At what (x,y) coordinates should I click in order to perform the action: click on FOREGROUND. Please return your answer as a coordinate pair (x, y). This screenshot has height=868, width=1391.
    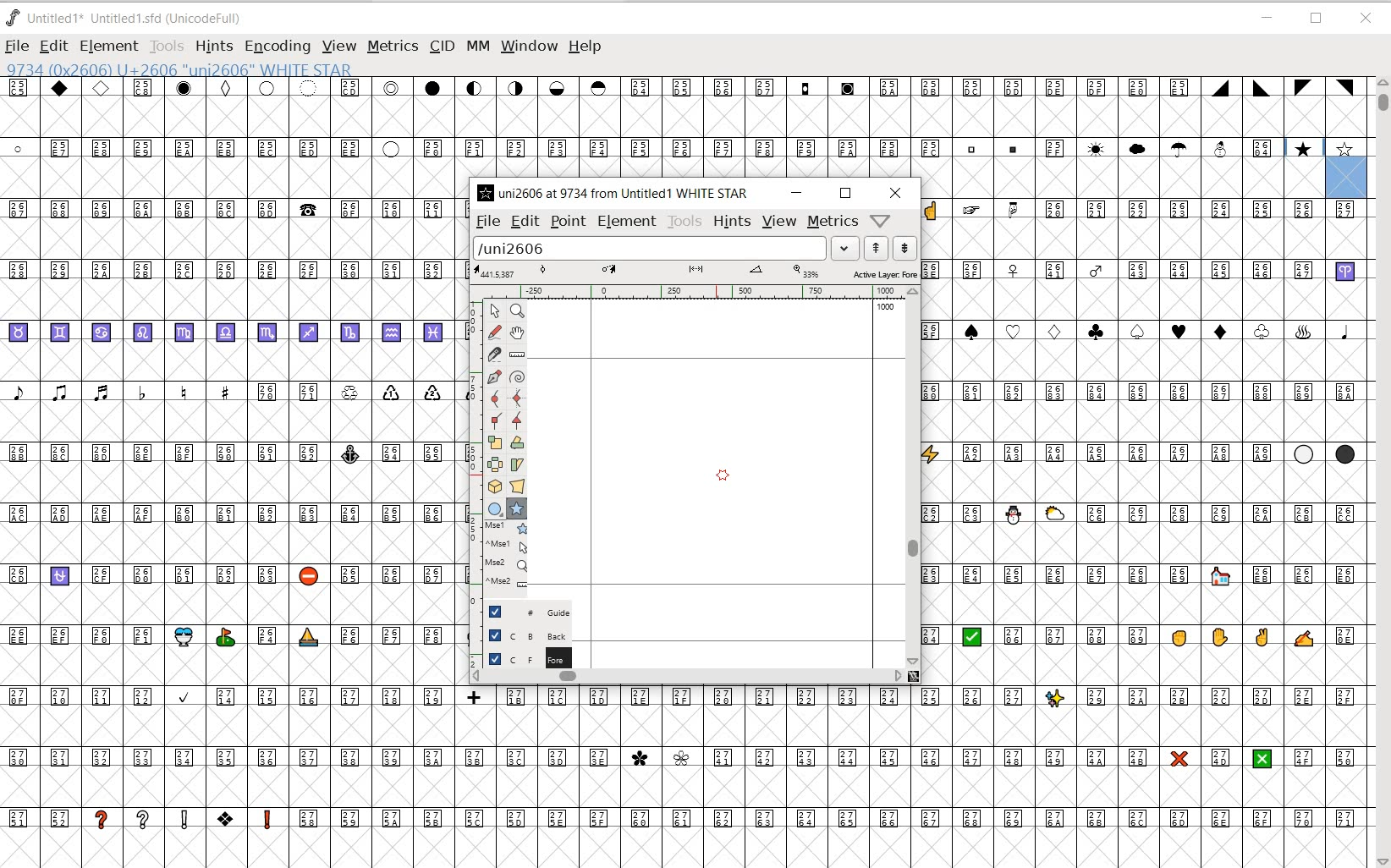
    Looking at the image, I should click on (520, 658).